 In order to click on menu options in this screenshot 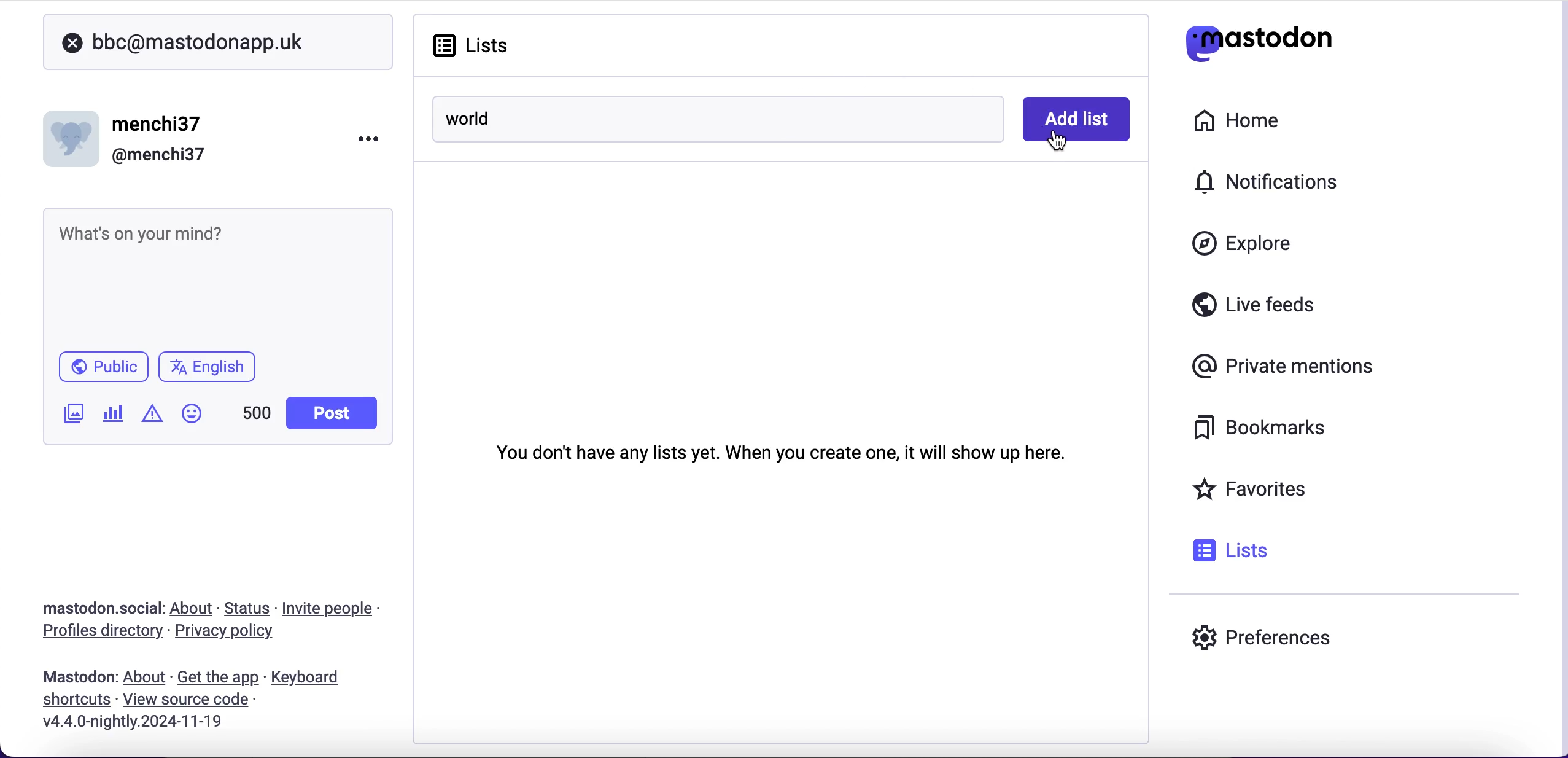, I will do `click(373, 138)`.